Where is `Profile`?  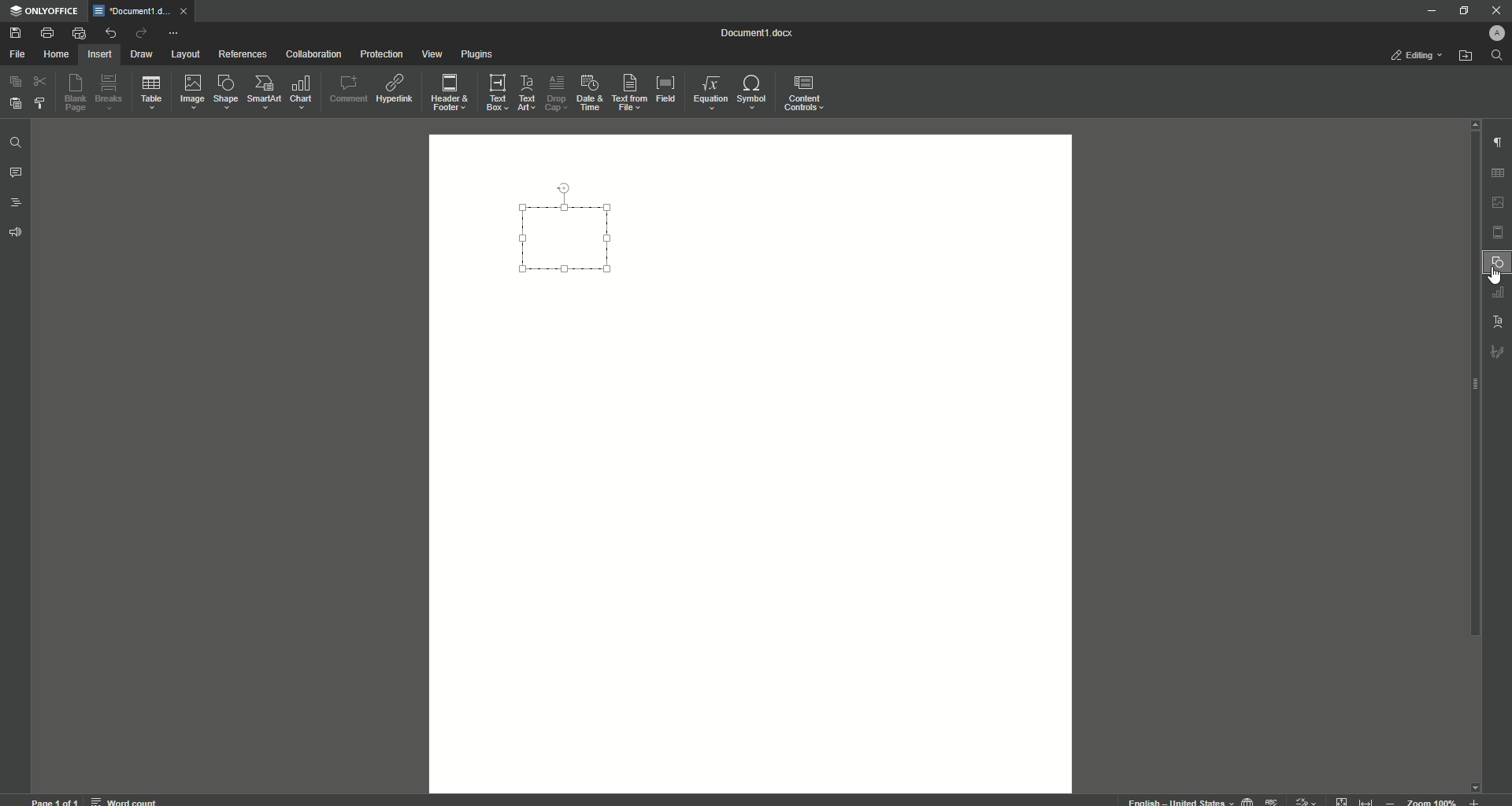
Profile is located at coordinates (1494, 33).